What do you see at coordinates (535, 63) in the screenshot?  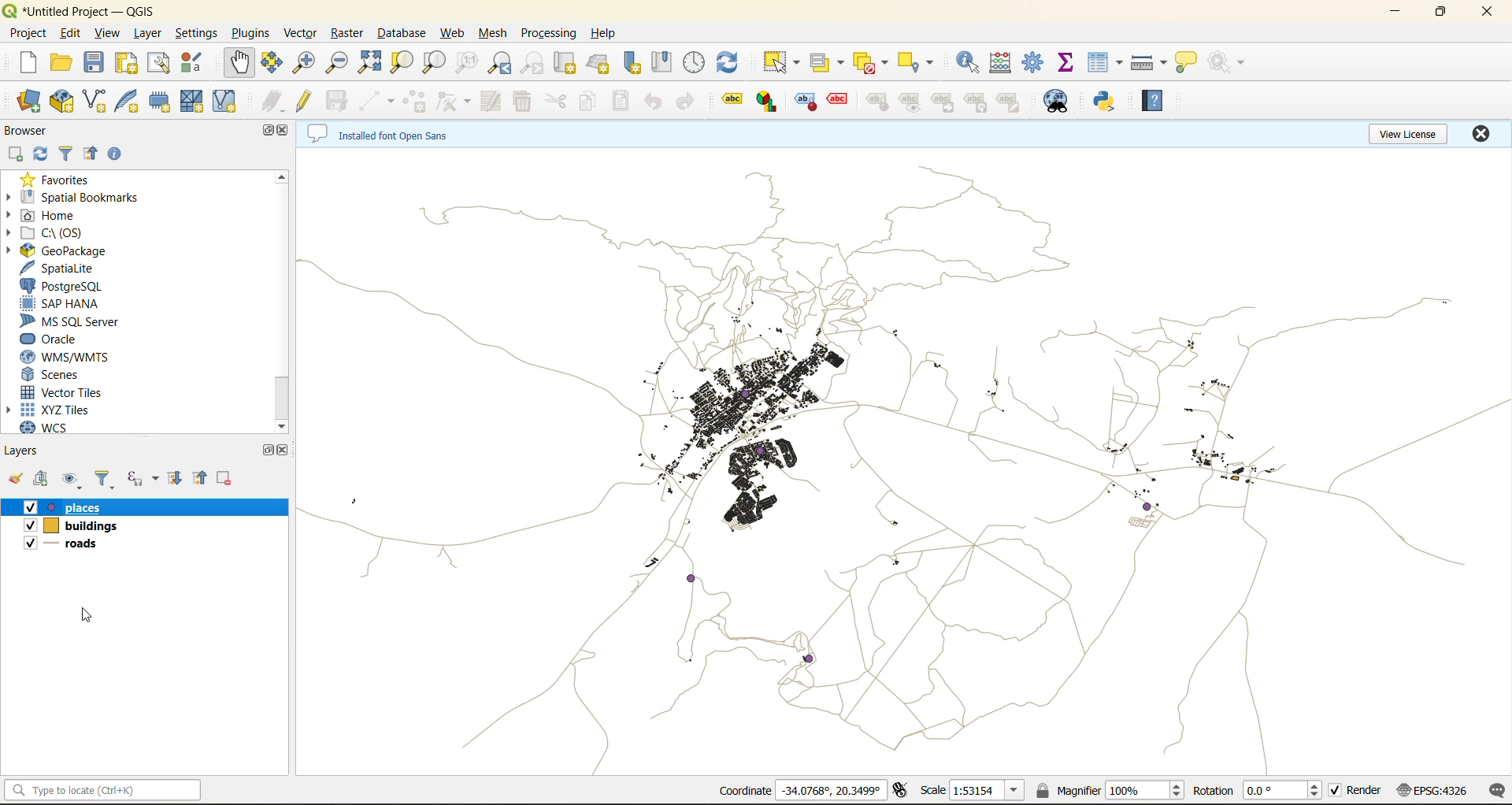 I see `zoom next` at bounding box center [535, 63].